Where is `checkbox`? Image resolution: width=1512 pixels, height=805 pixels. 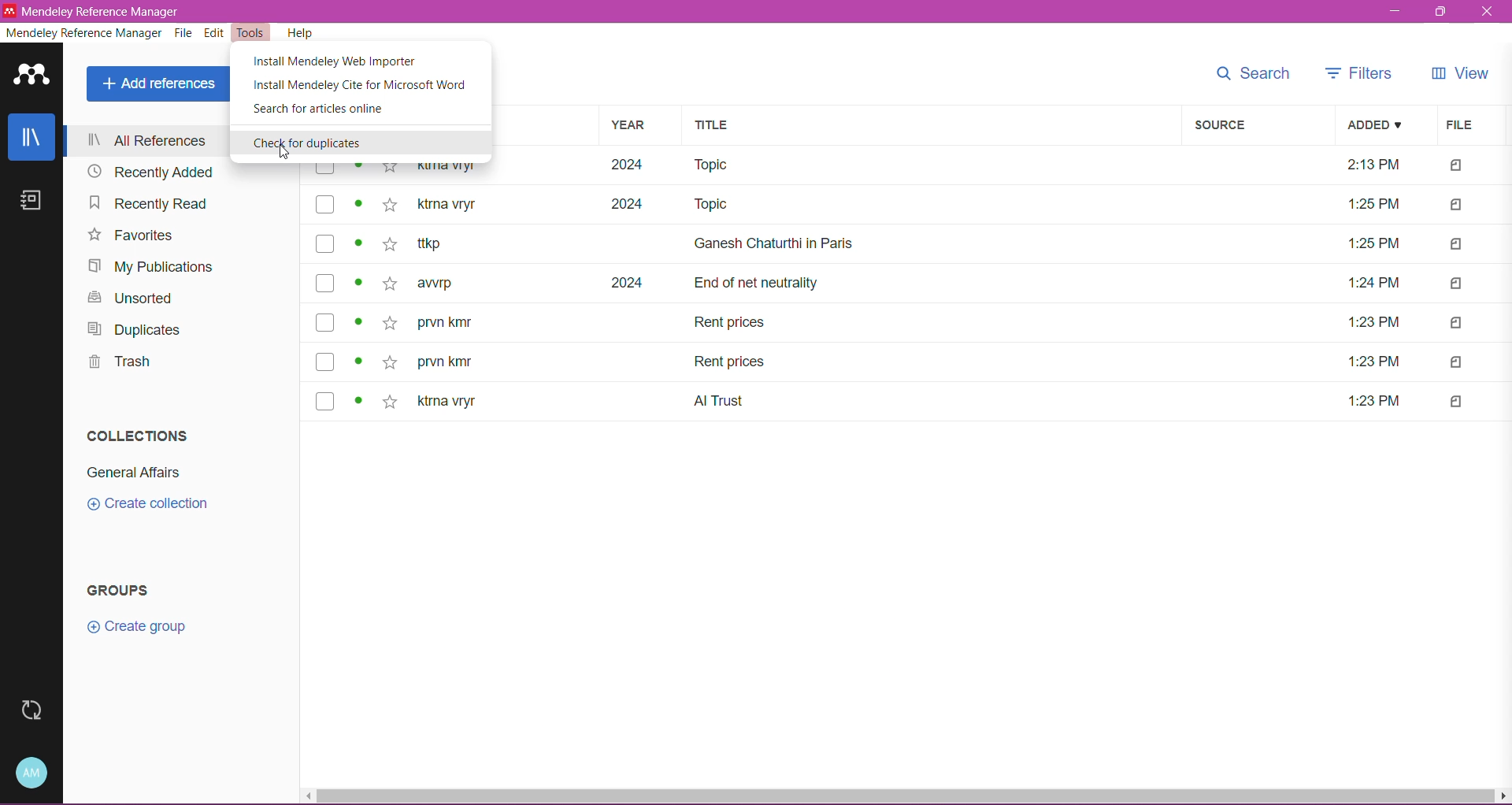
checkbox is located at coordinates (324, 283).